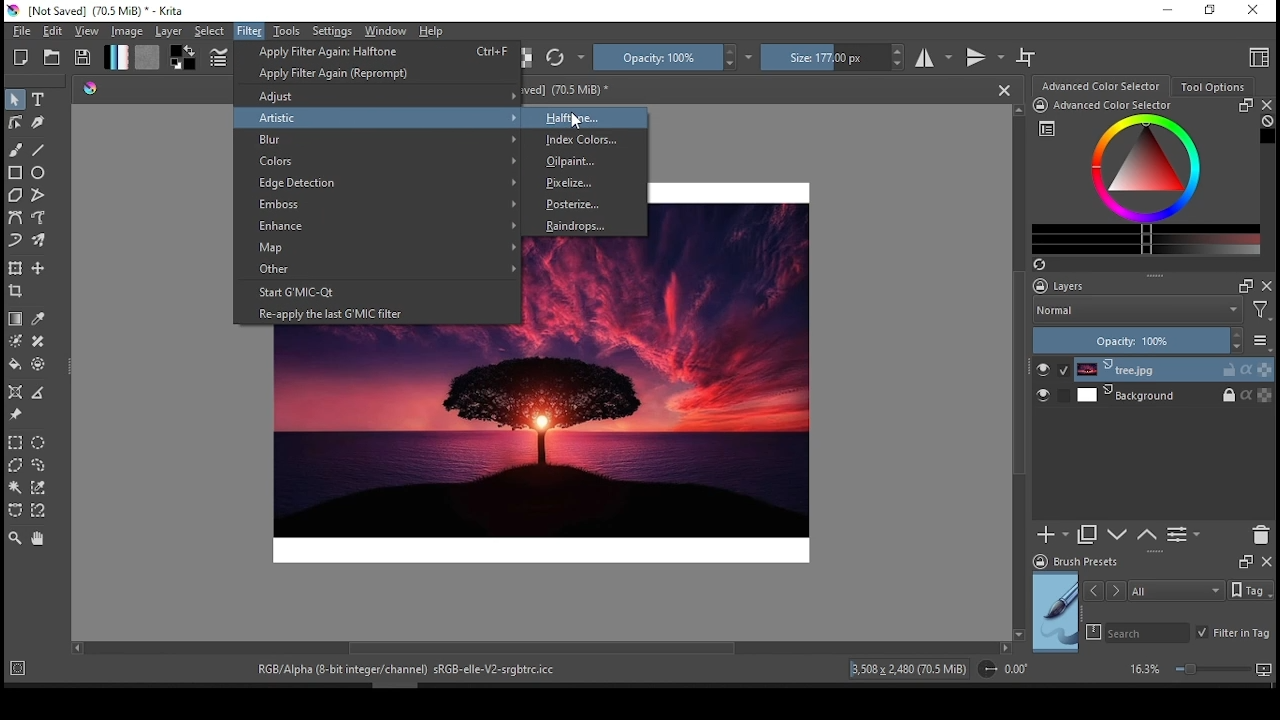 The image size is (1280, 720). What do you see at coordinates (1251, 12) in the screenshot?
I see `close window` at bounding box center [1251, 12].